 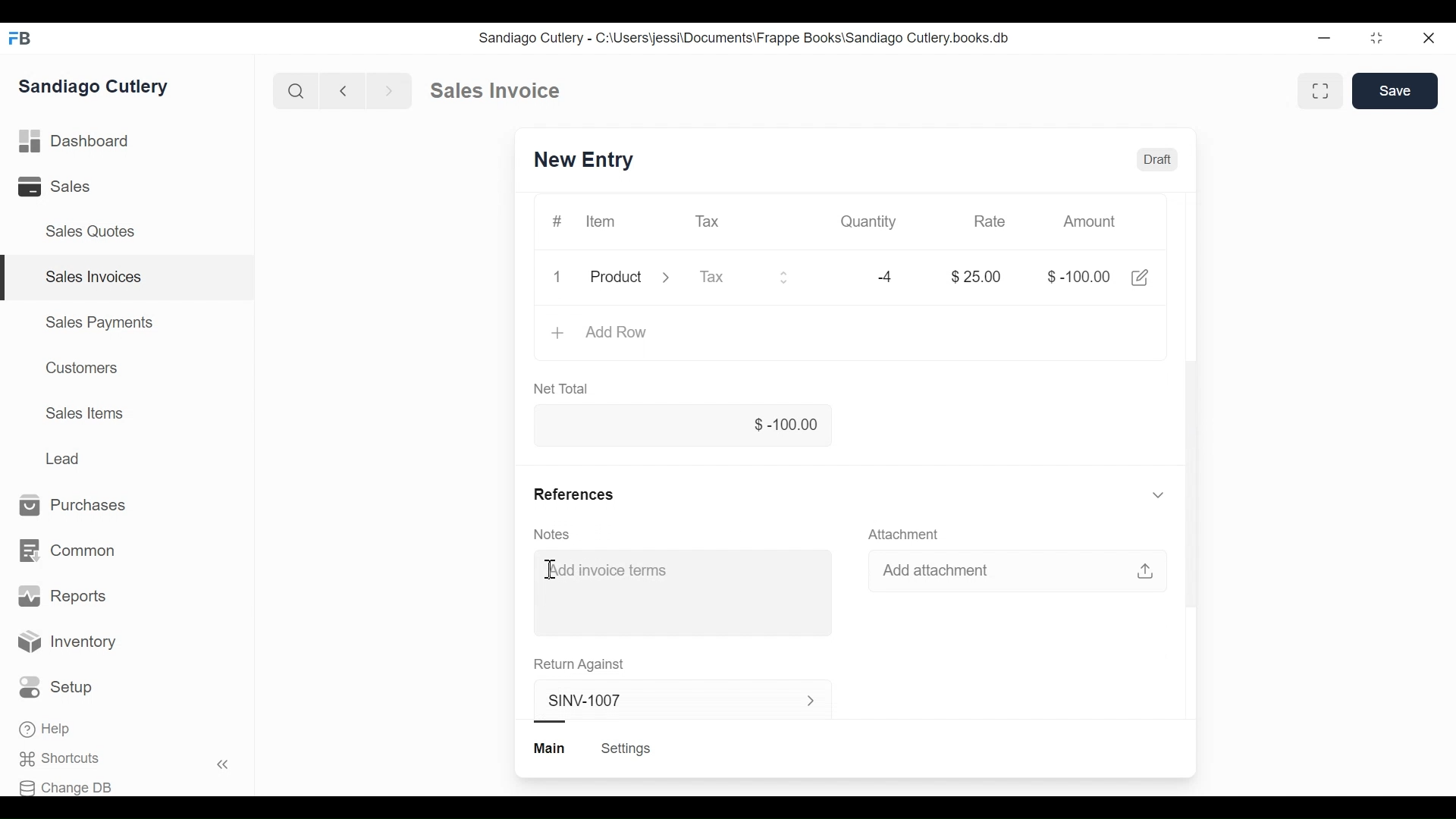 I want to click on Cursor, so click(x=549, y=570).